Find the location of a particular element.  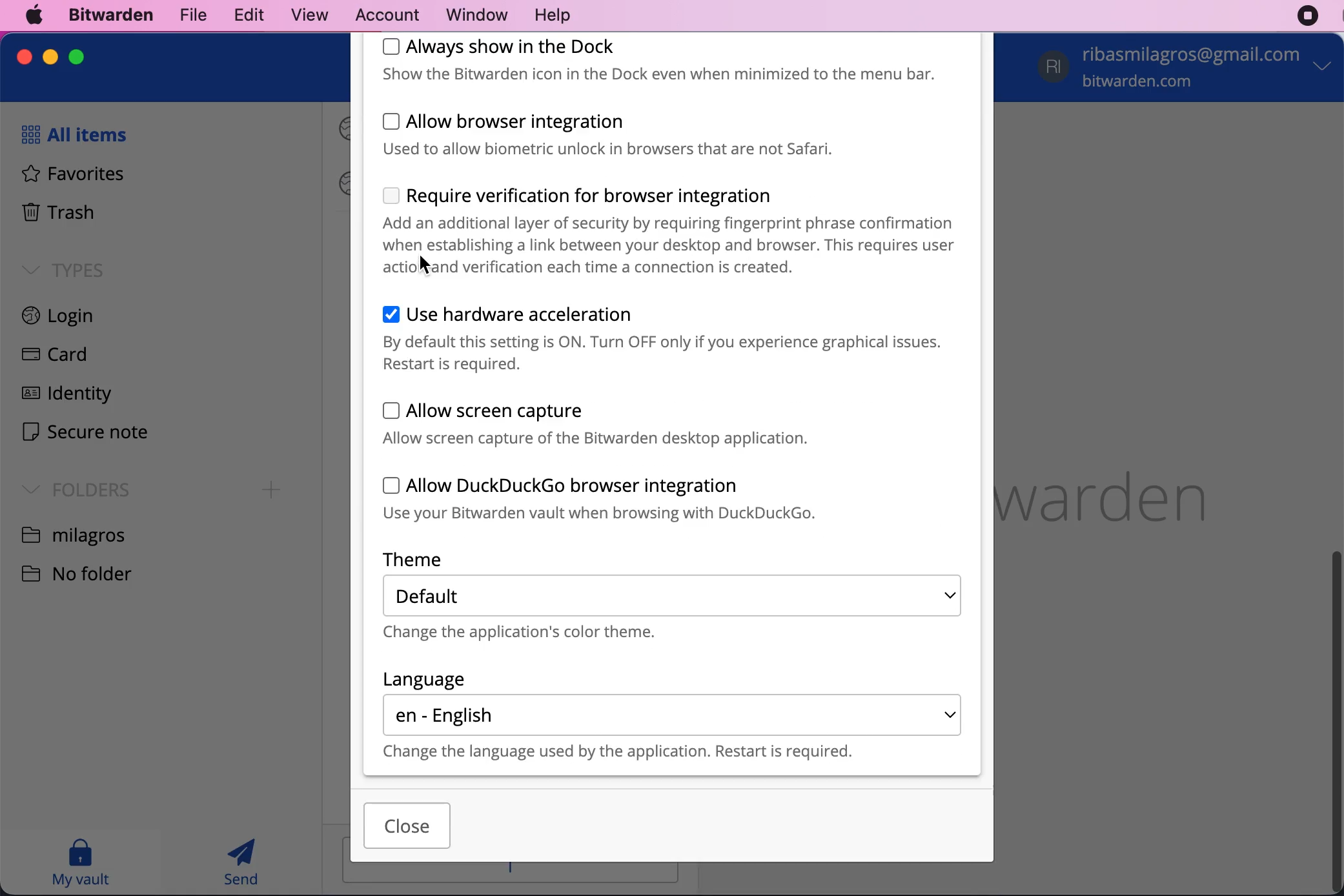

use hardware acceleration is located at coordinates (666, 340).